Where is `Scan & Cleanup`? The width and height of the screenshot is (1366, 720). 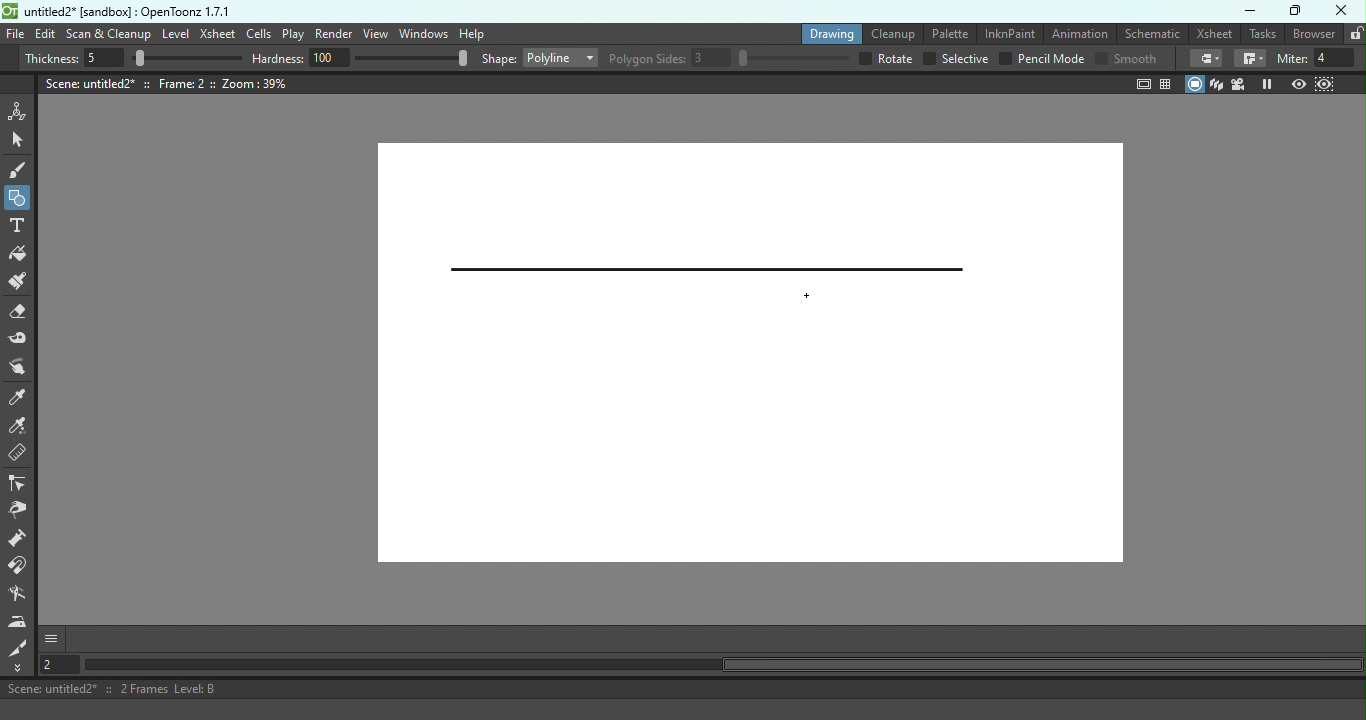 Scan & Cleanup is located at coordinates (108, 34).